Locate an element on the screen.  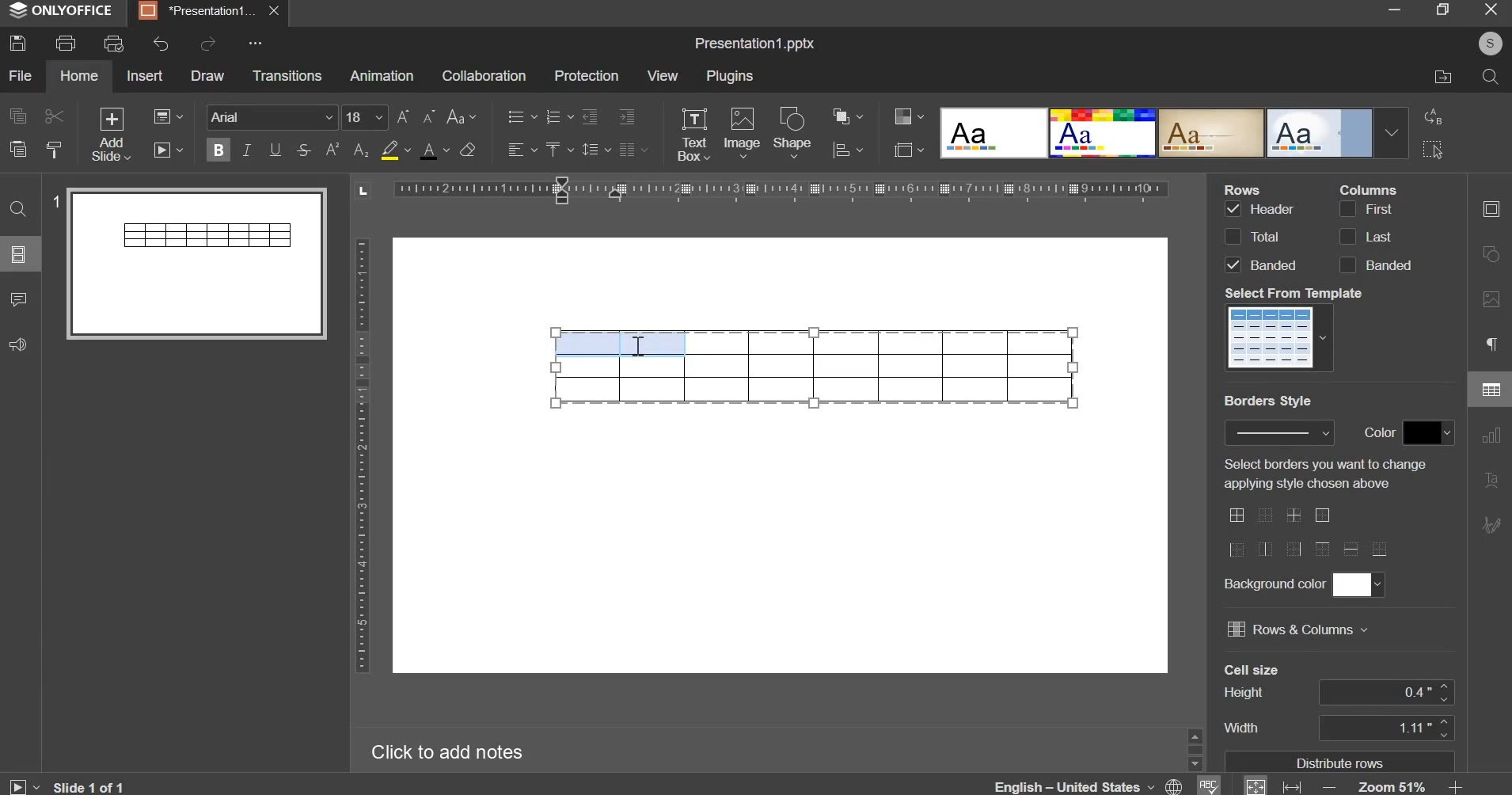
collaboration is located at coordinates (483, 75).